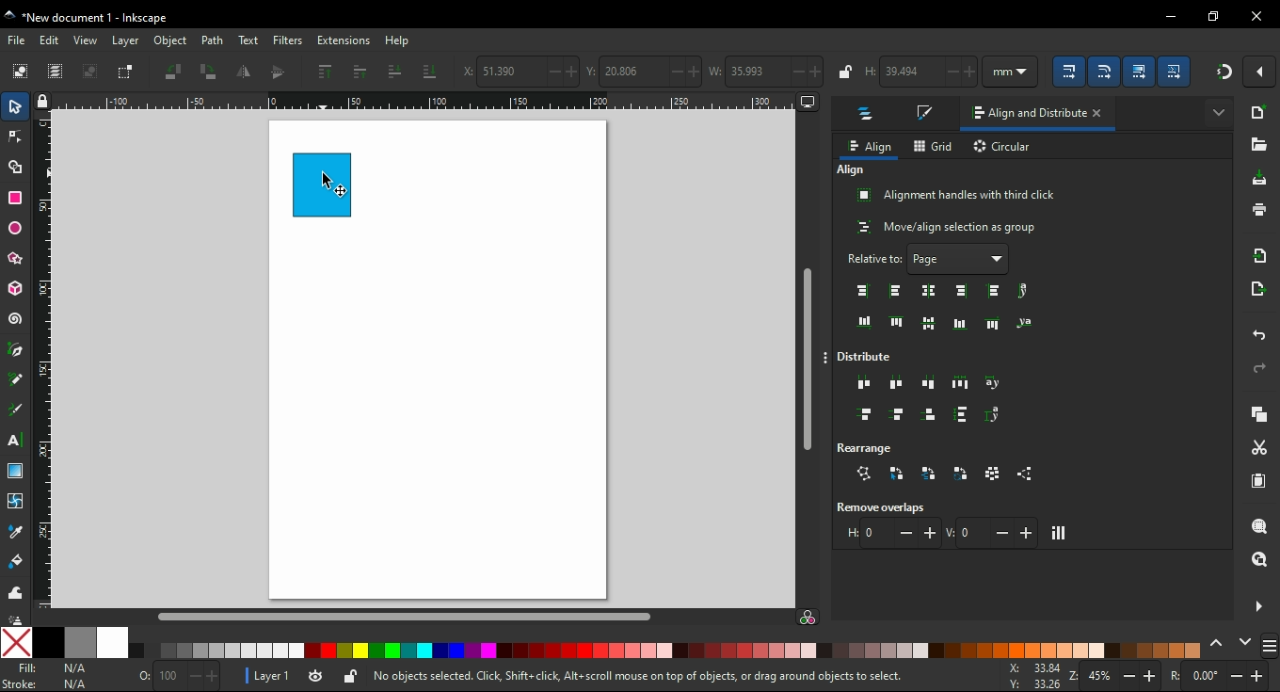 This screenshot has height=692, width=1280. What do you see at coordinates (994, 473) in the screenshot?
I see `randomize centers in both dimensions` at bounding box center [994, 473].